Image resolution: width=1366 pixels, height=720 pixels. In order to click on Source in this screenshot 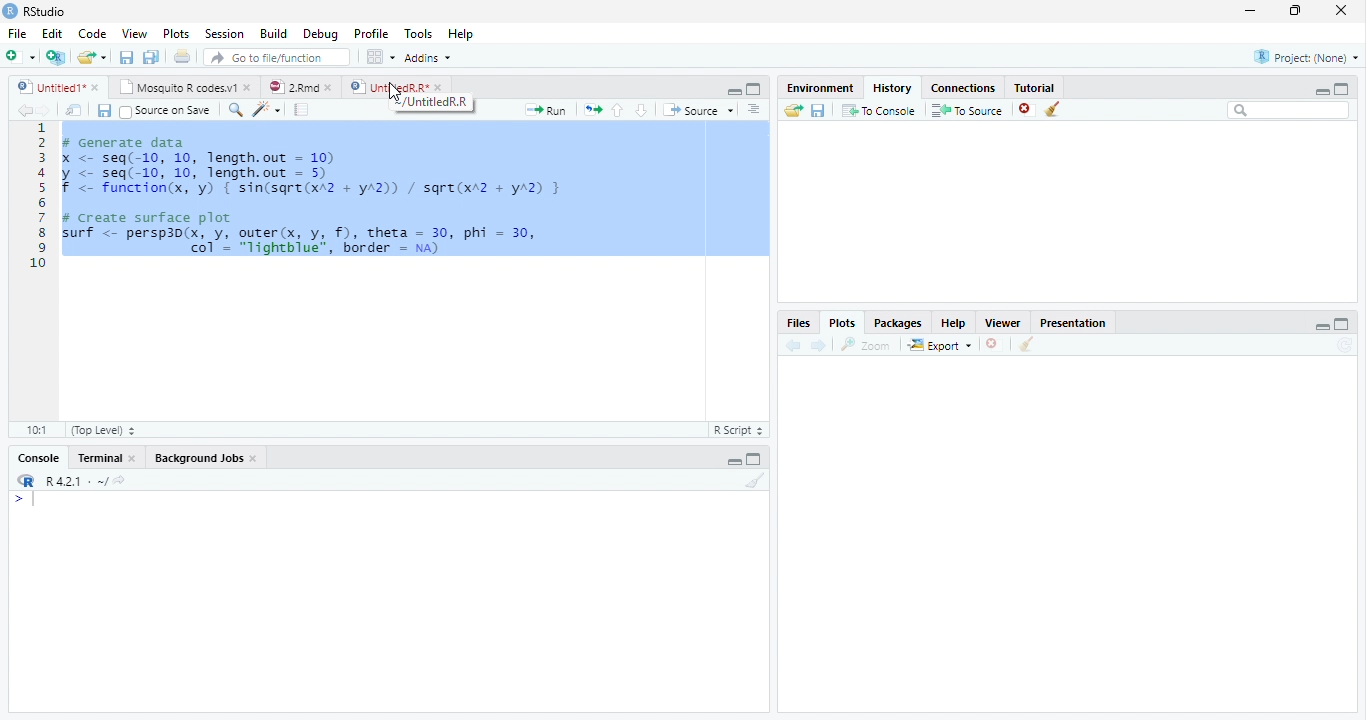, I will do `click(697, 109)`.